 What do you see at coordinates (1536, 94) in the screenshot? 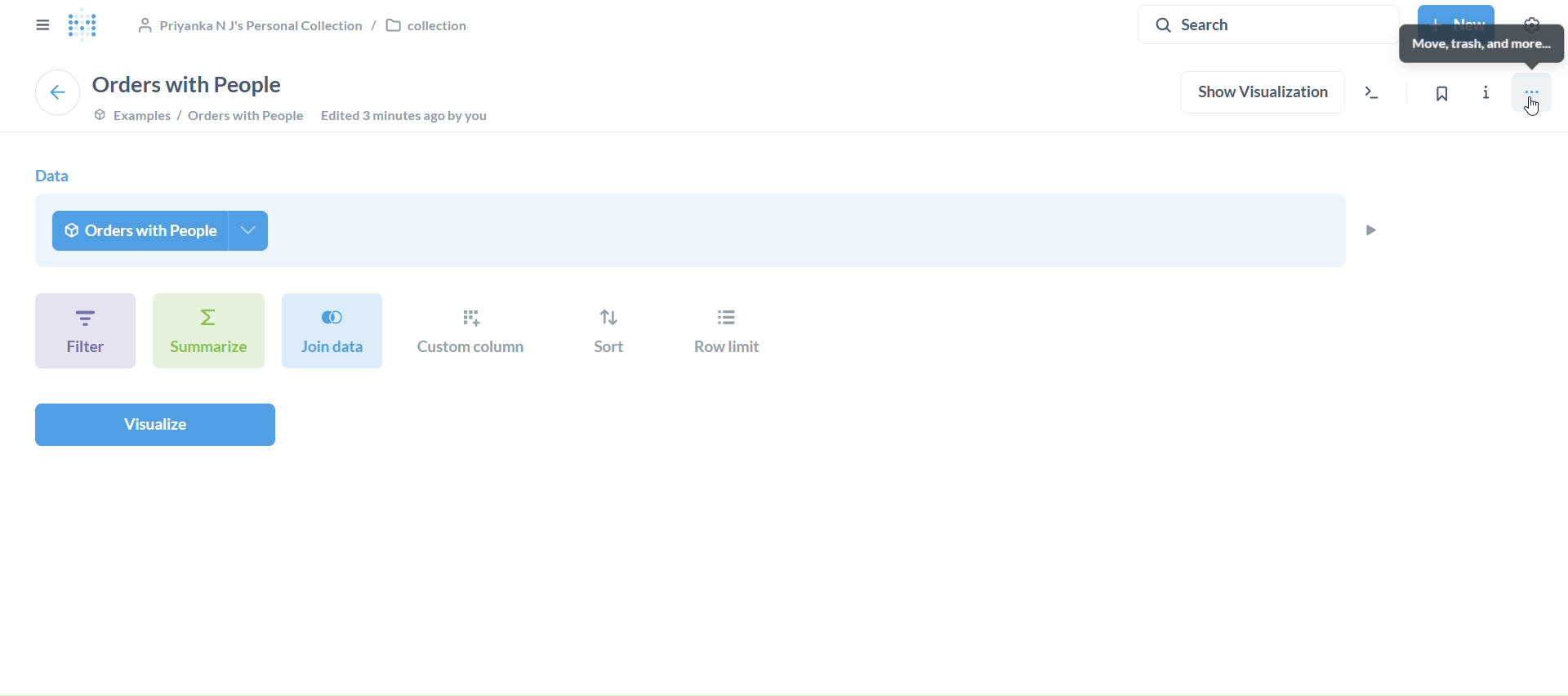
I see `move, trash, and more` at bounding box center [1536, 94].